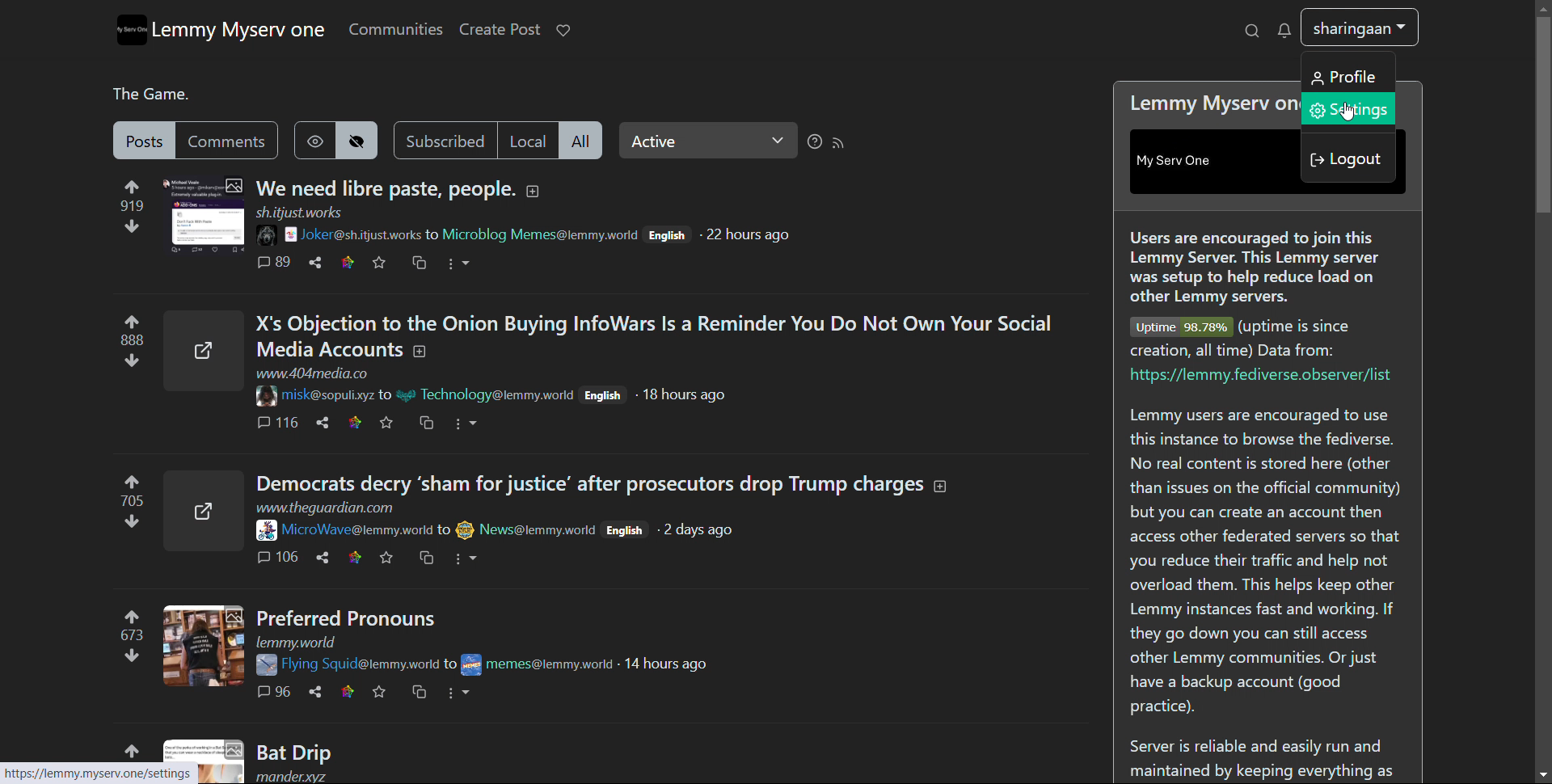  Describe the element at coordinates (837, 141) in the screenshot. I see `rss` at that location.